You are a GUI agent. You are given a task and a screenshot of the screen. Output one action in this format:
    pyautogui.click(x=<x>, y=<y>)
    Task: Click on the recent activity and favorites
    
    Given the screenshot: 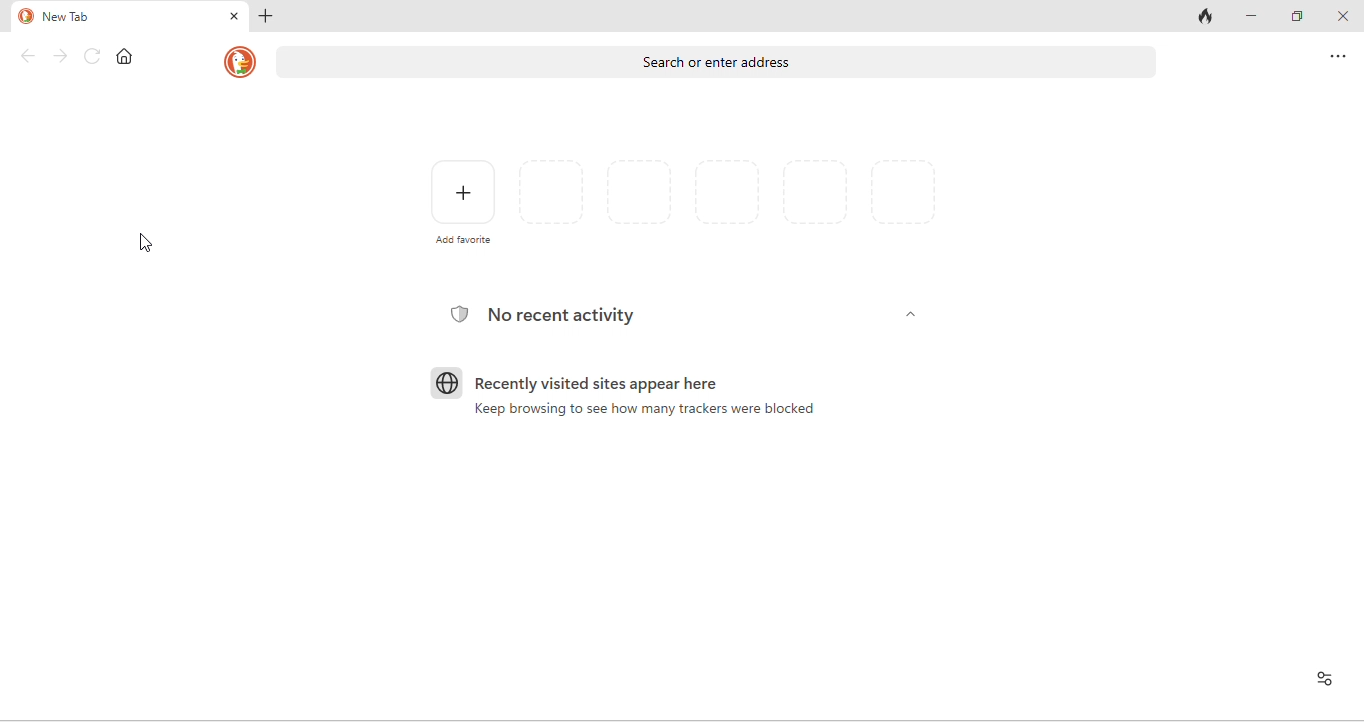 What is the action you would take?
    pyautogui.click(x=1321, y=680)
    